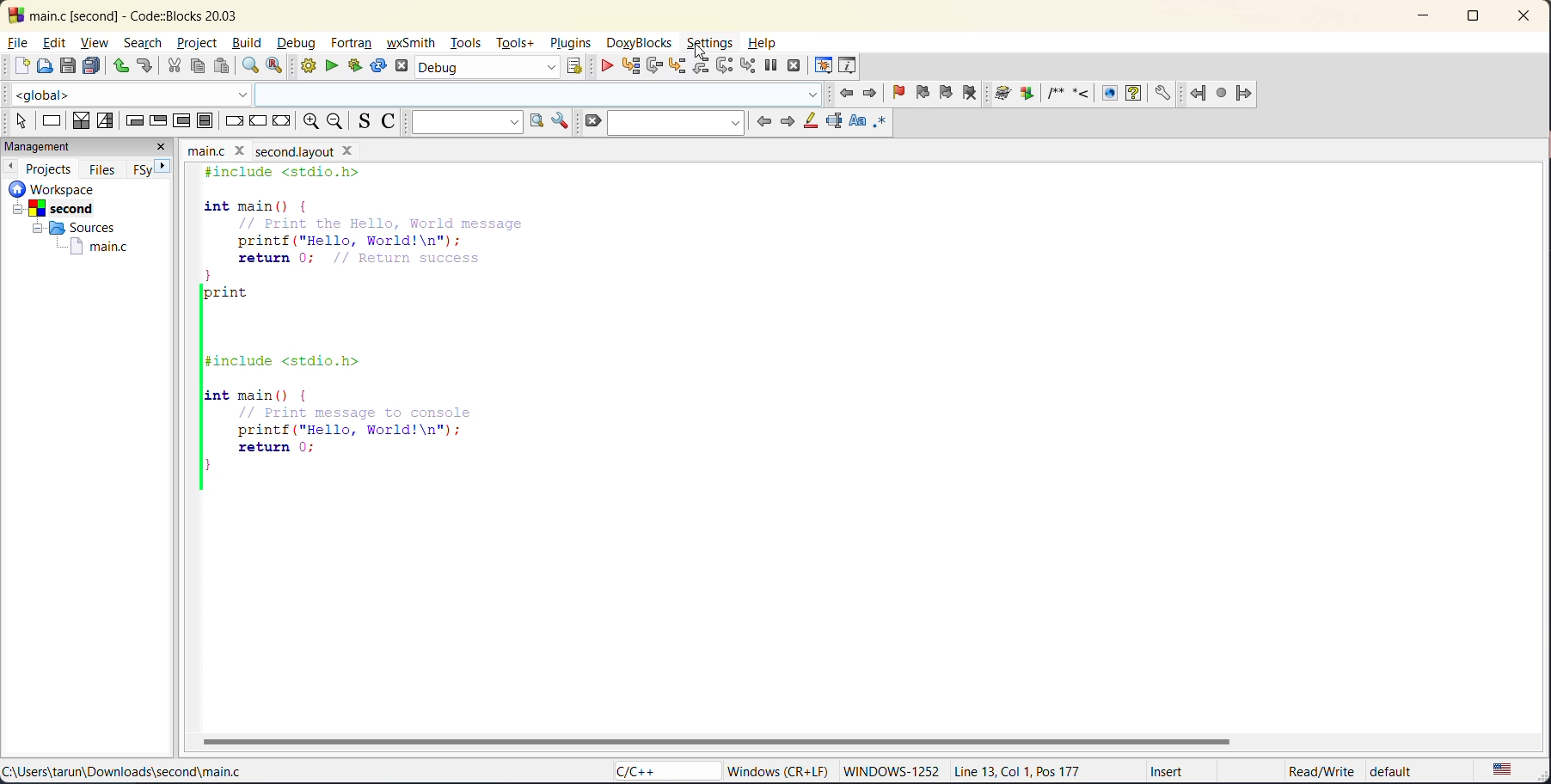 This screenshot has height=784, width=1551. I want to click on use regex, so click(886, 123).